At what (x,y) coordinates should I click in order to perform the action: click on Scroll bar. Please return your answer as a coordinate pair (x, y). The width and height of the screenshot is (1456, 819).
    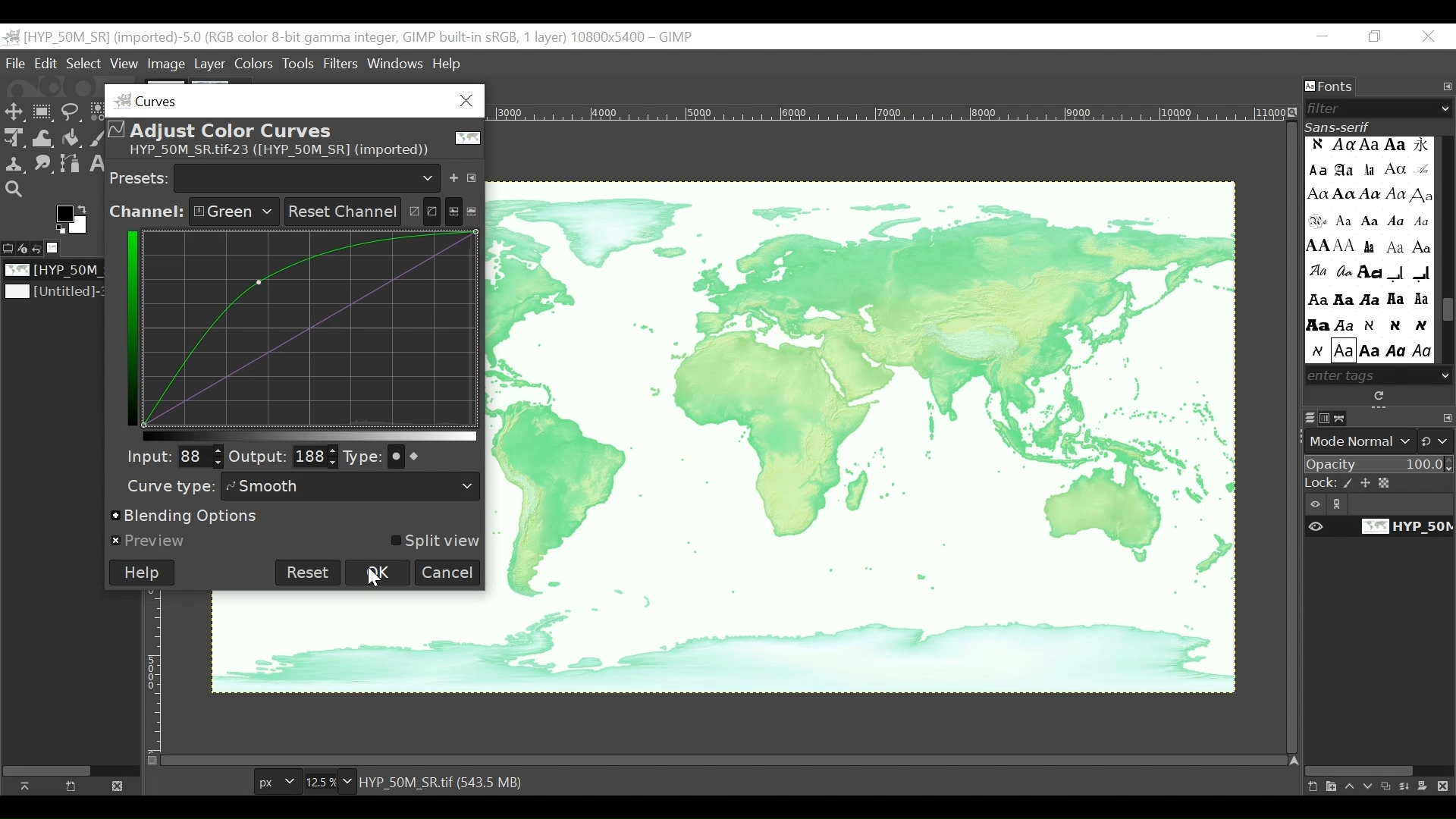
    Looking at the image, I should click on (1447, 312).